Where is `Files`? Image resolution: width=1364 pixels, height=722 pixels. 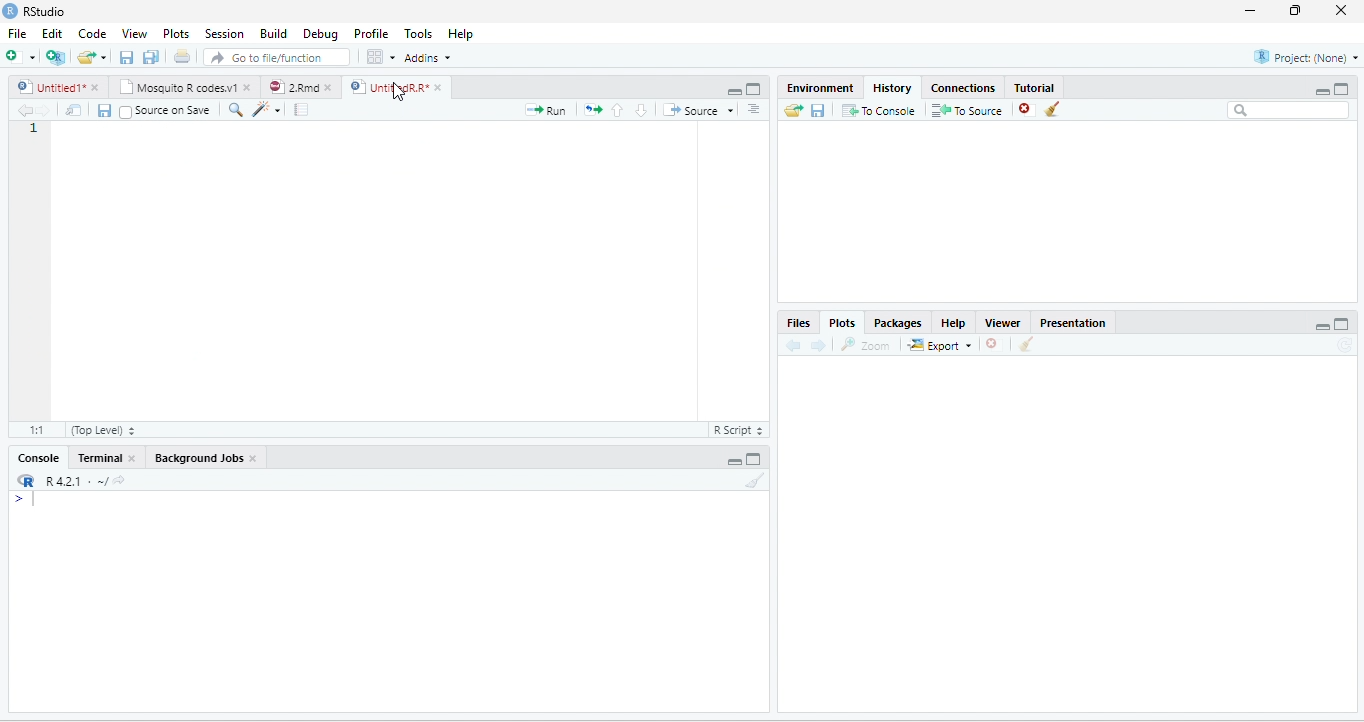
Files is located at coordinates (798, 322).